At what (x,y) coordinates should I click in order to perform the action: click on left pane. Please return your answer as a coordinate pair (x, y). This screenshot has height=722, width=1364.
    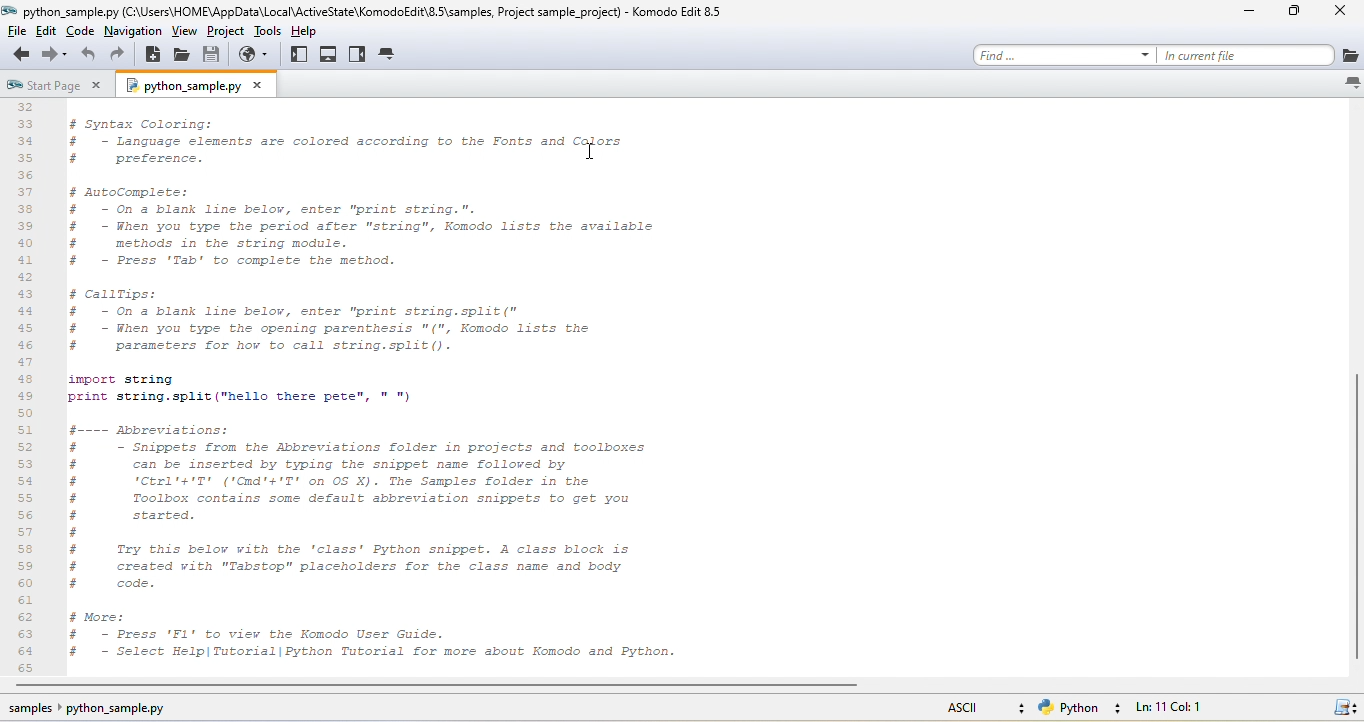
    Looking at the image, I should click on (301, 55).